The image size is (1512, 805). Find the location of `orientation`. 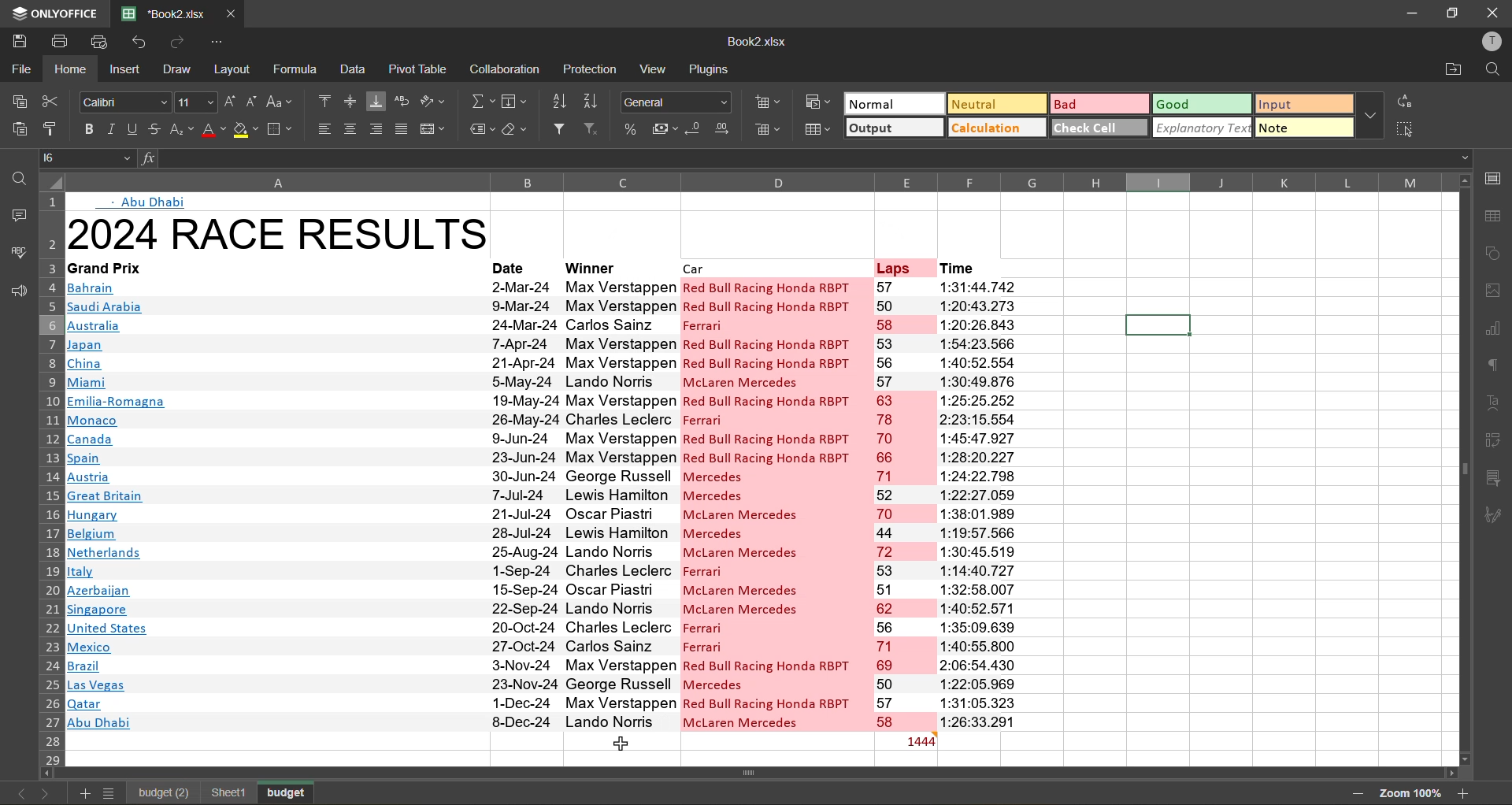

orientation is located at coordinates (435, 102).